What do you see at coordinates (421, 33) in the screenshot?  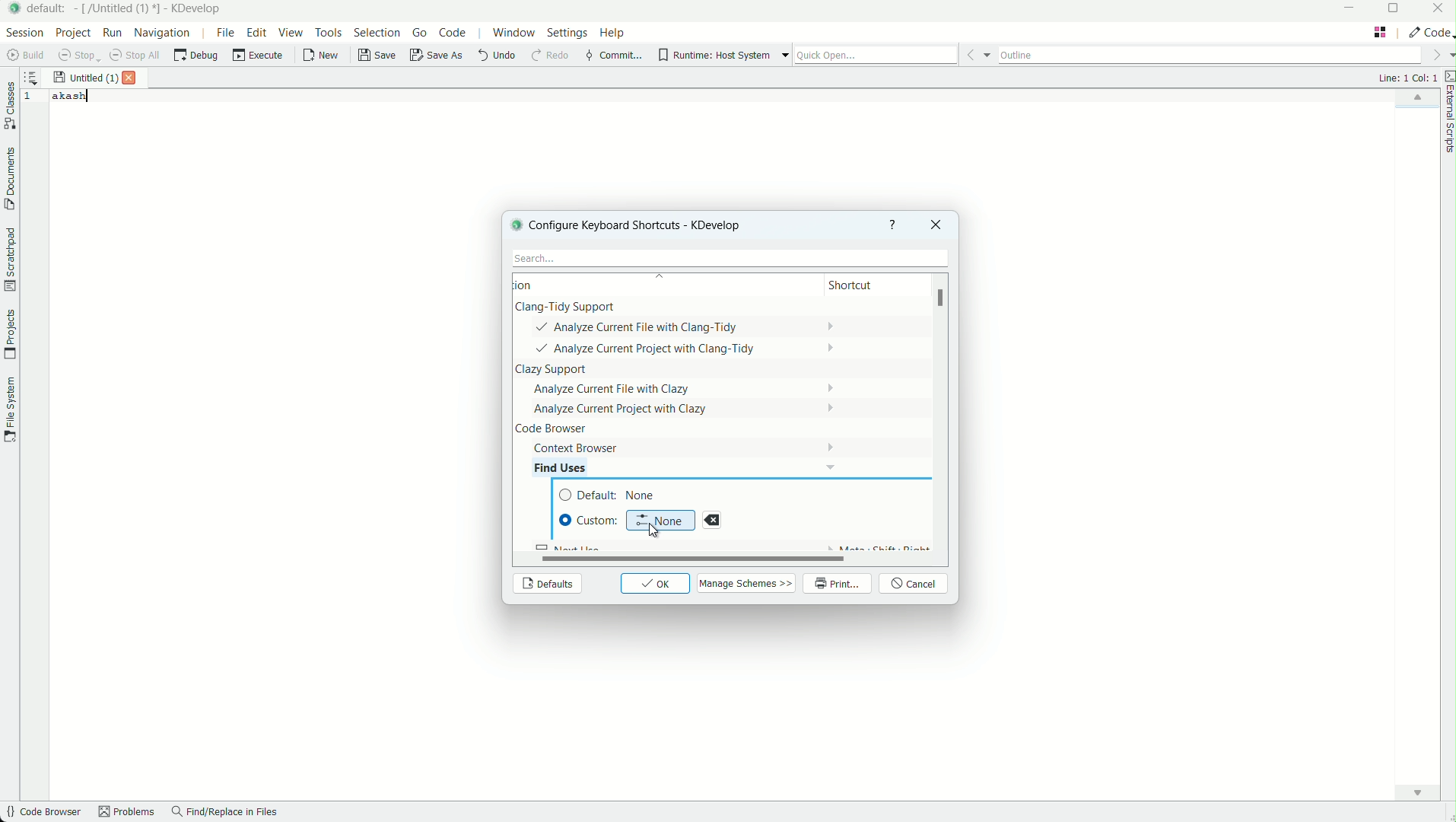 I see `go menu` at bounding box center [421, 33].